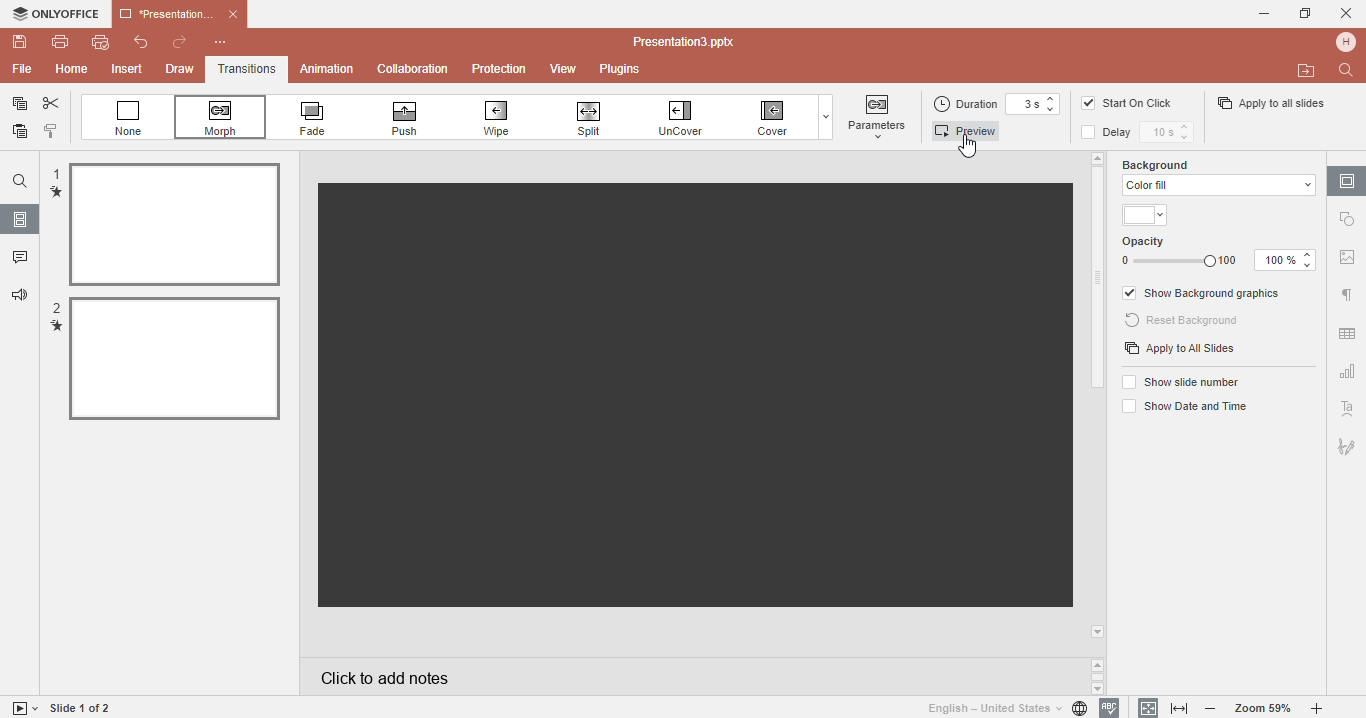 This screenshot has width=1366, height=718. I want to click on Fade, so click(325, 118).